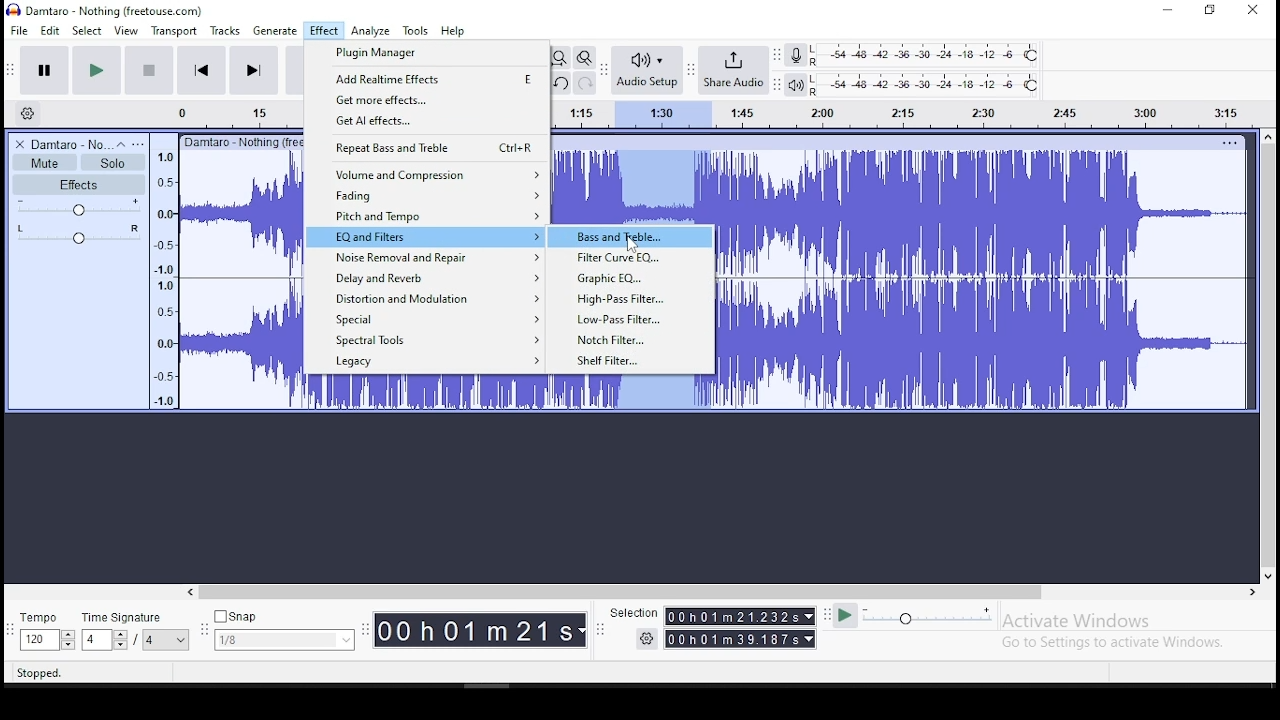  I want to click on distortion and modulation, so click(426, 297).